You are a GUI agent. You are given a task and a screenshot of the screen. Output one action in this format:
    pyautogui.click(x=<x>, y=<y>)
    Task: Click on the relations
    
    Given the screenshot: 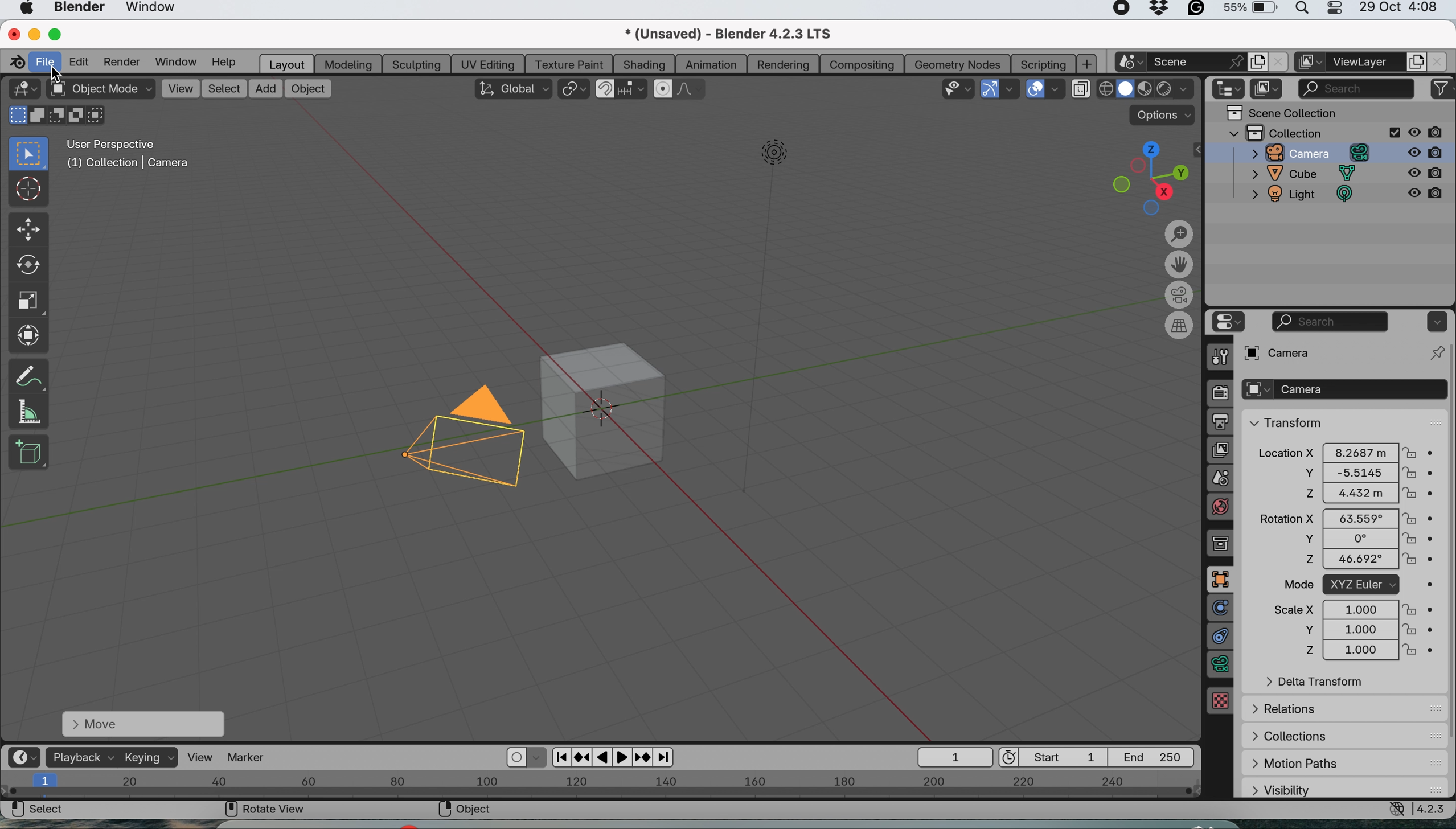 What is the action you would take?
    pyautogui.click(x=1306, y=707)
    